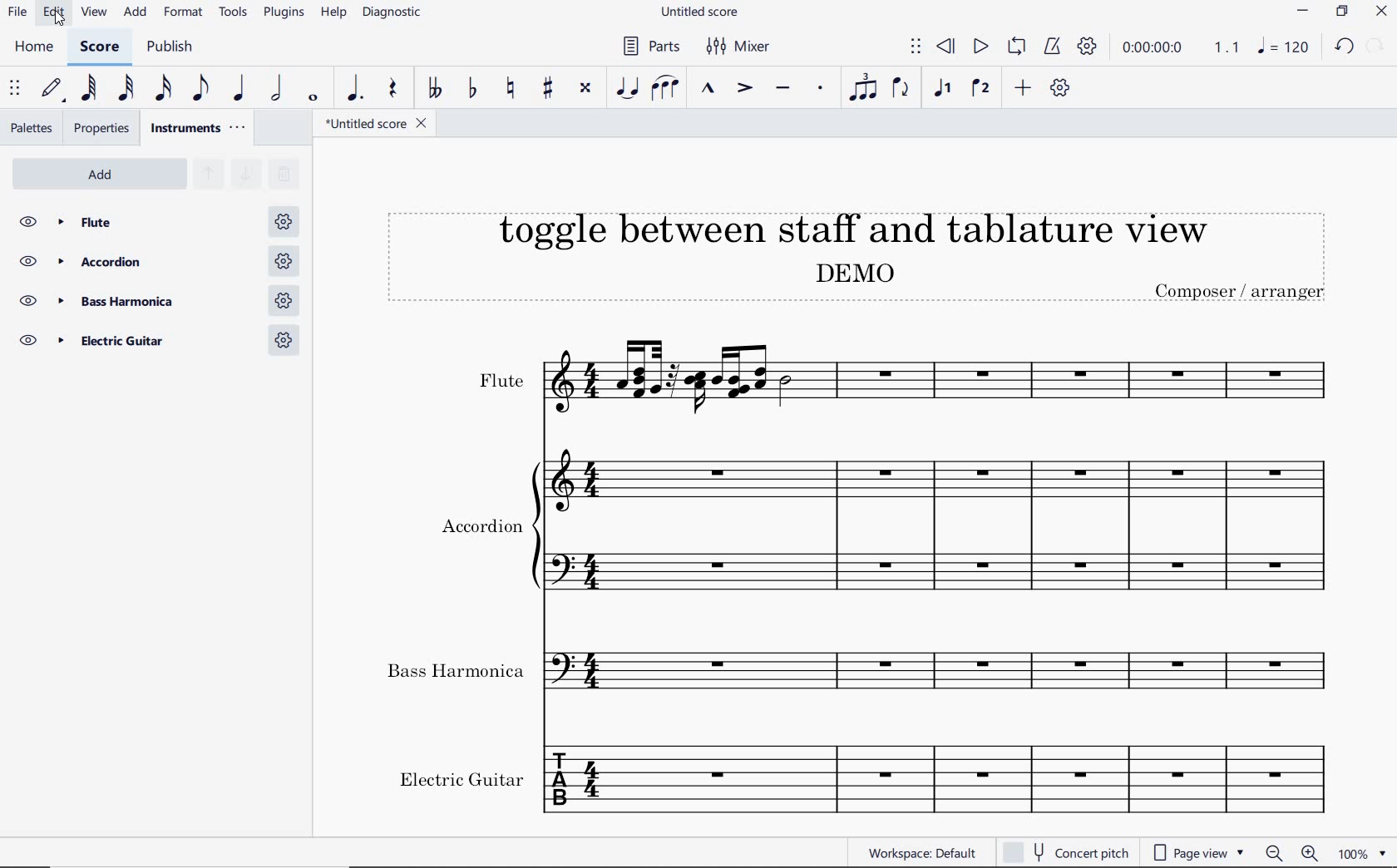 This screenshot has height=868, width=1397. I want to click on tools, so click(236, 16).